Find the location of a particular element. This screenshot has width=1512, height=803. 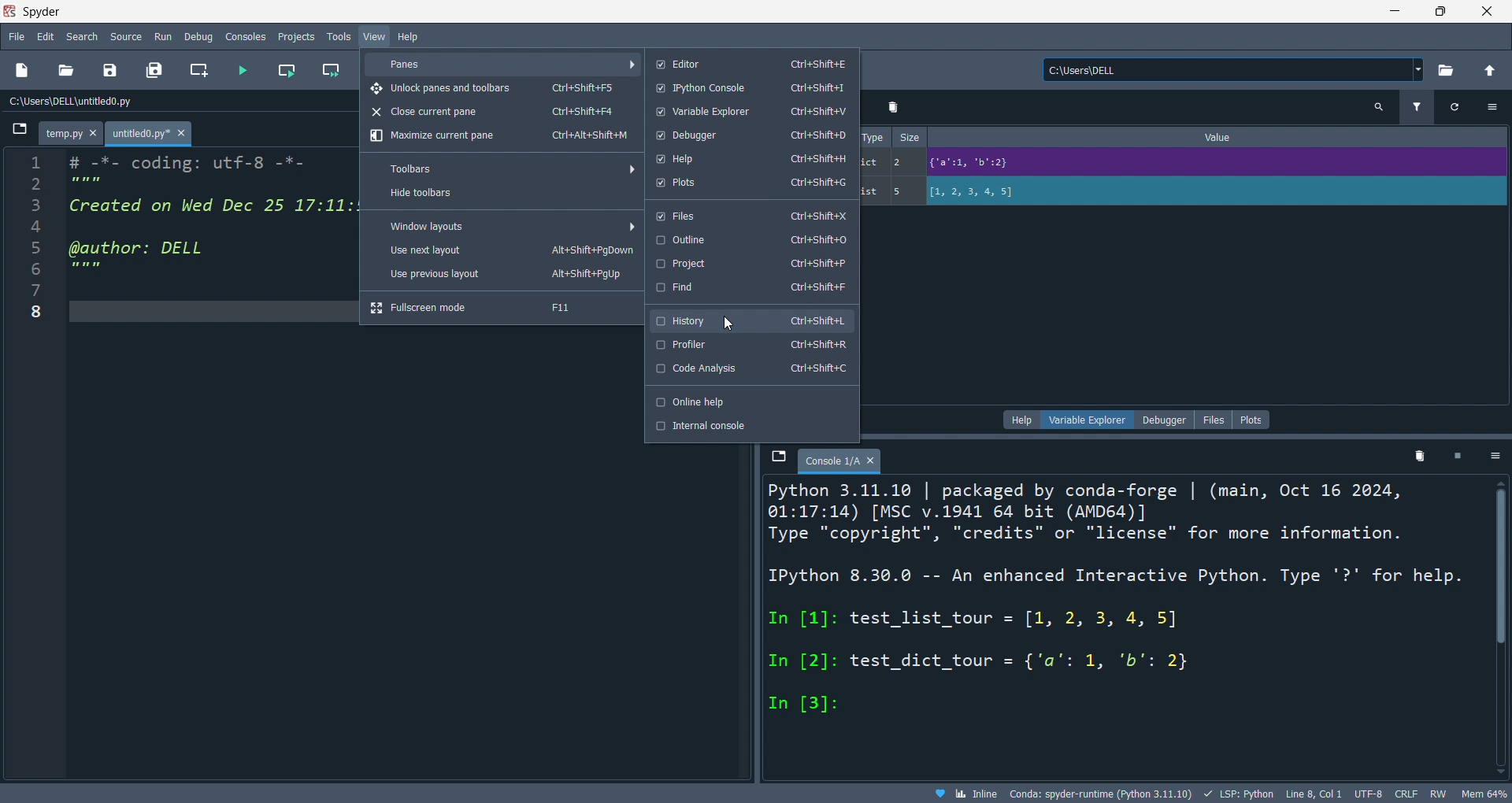

toolbars is located at coordinates (509, 168).